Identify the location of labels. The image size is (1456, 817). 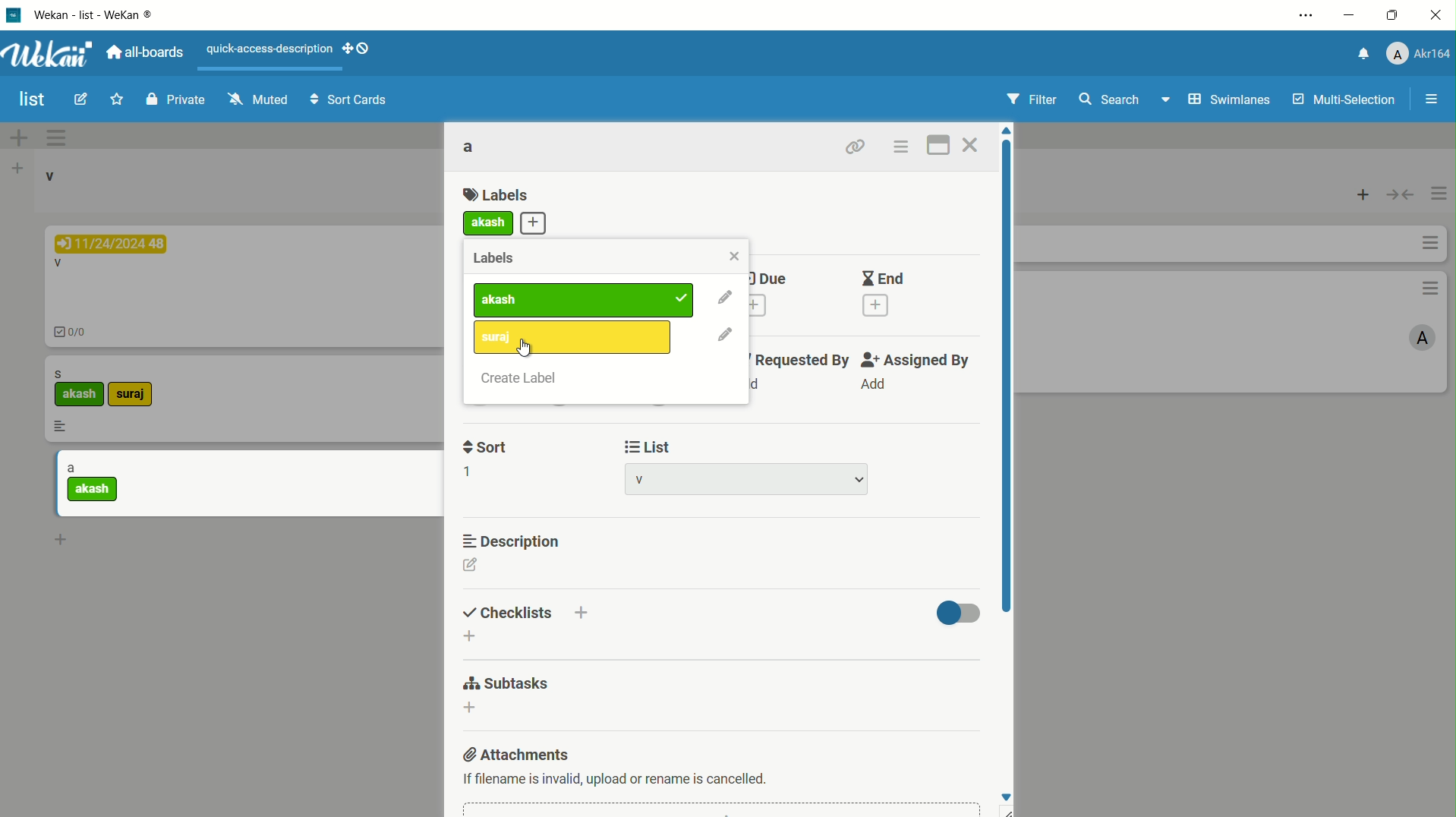
(496, 195).